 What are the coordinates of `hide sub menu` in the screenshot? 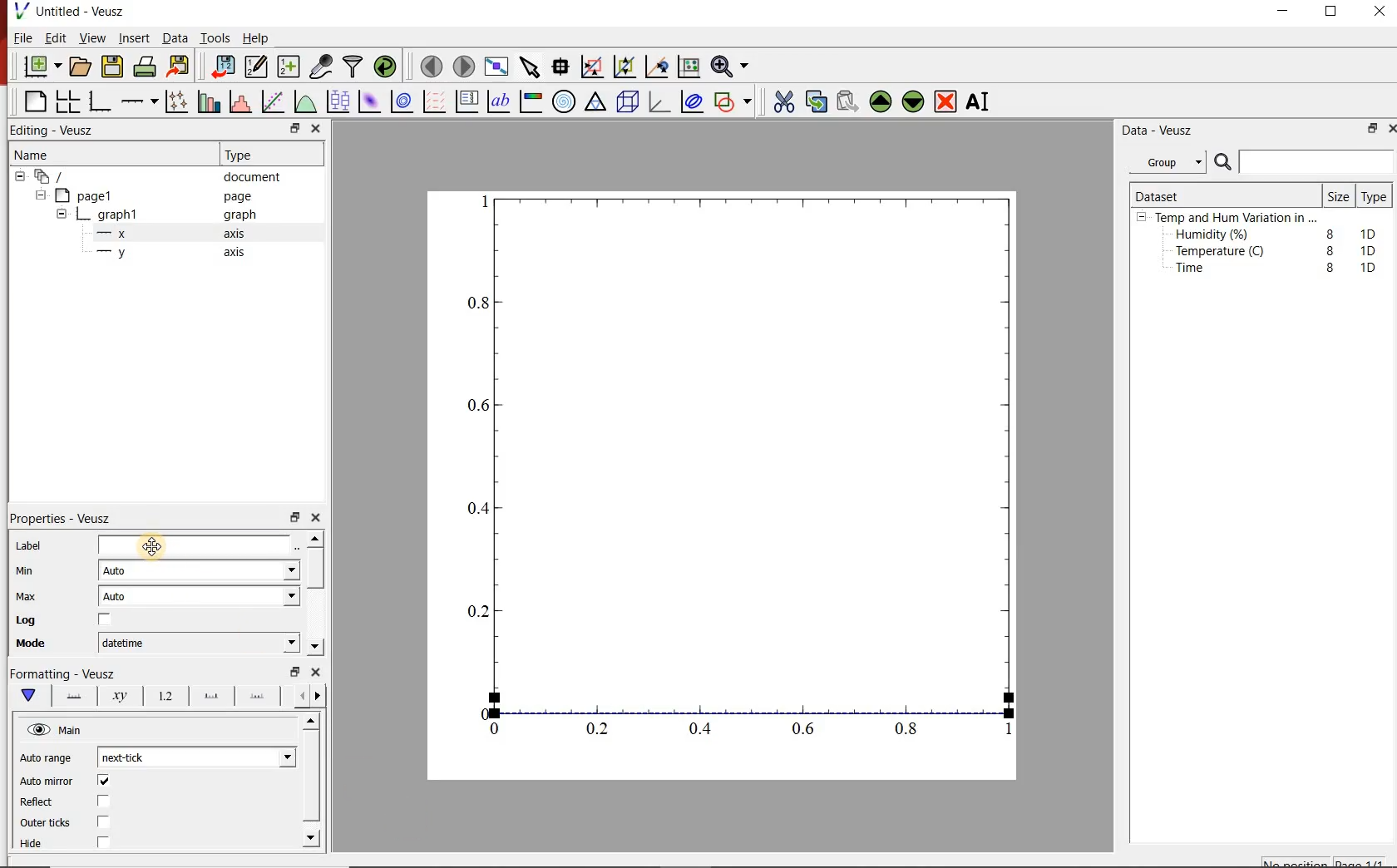 It's located at (1142, 219).